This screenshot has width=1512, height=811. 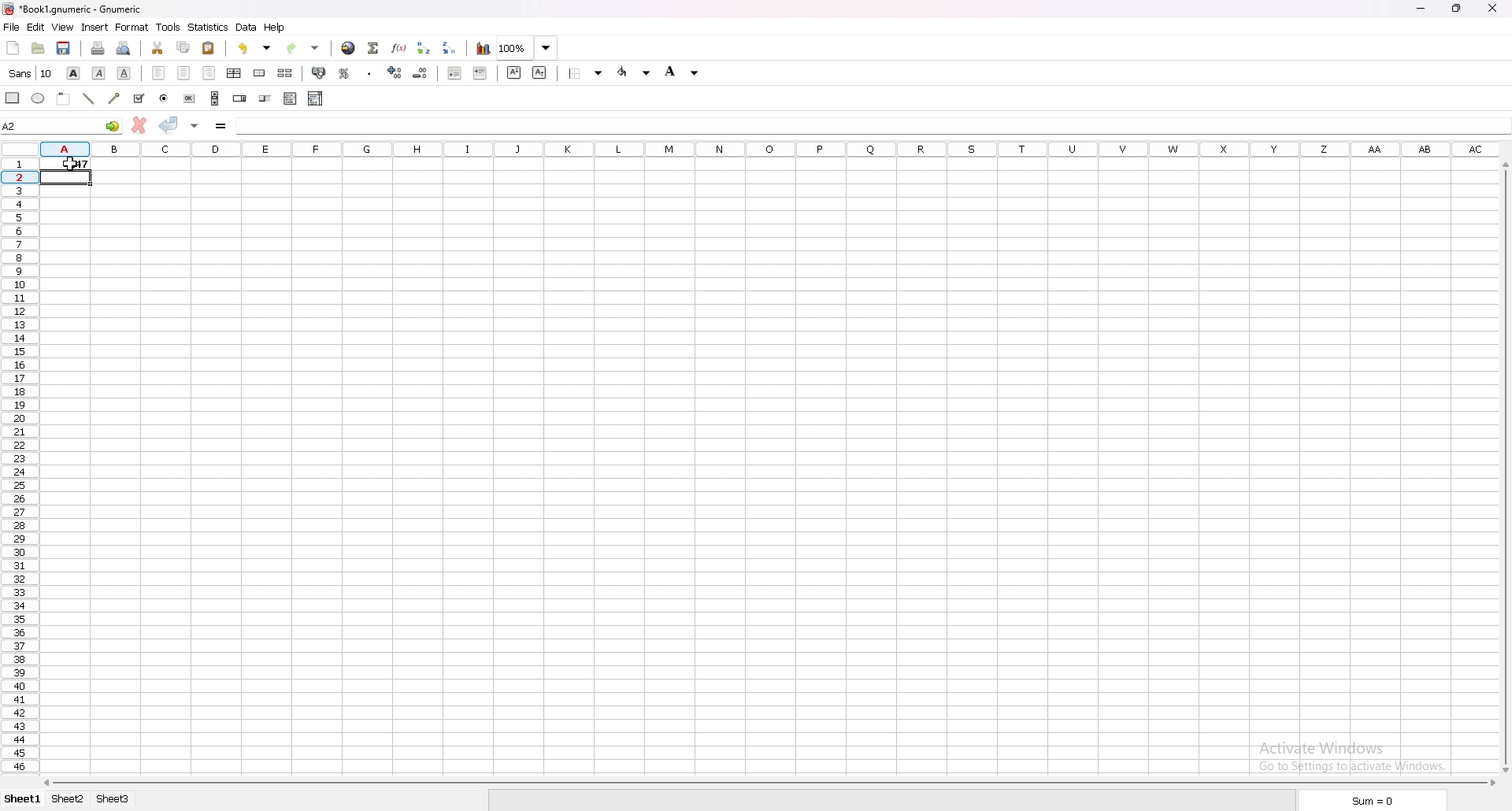 What do you see at coordinates (539, 72) in the screenshot?
I see `subscript` at bounding box center [539, 72].